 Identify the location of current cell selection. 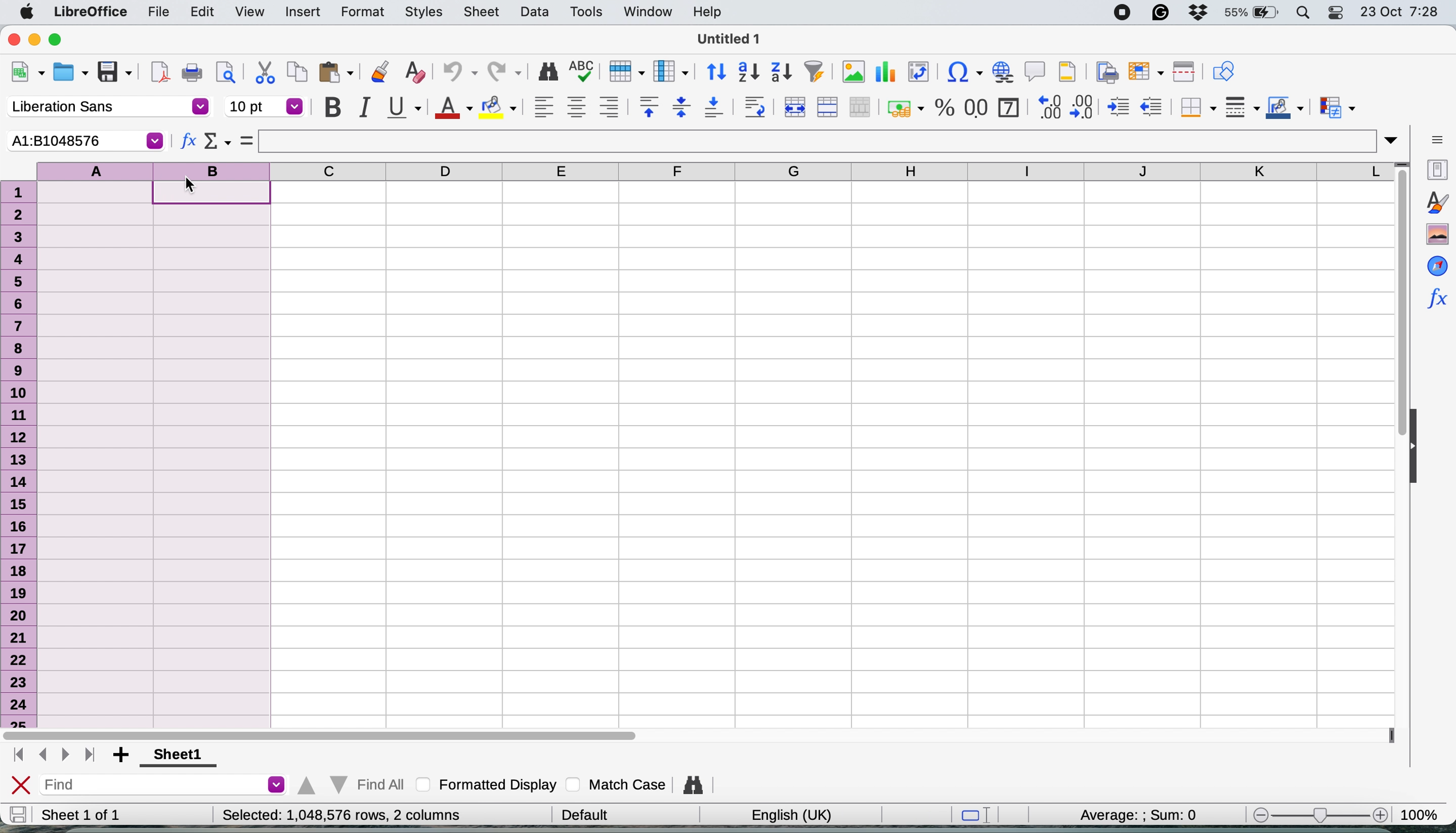
(82, 140).